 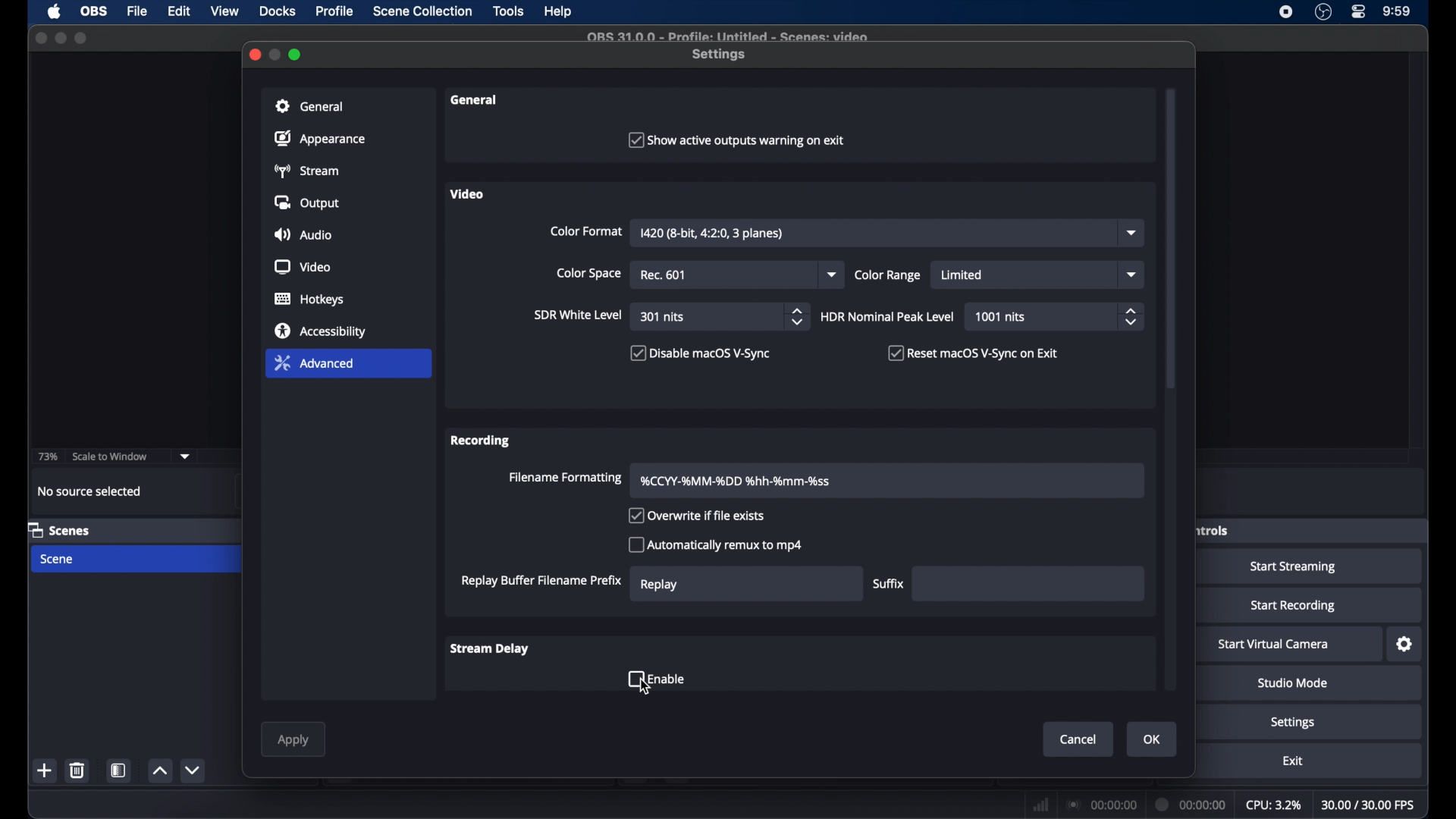 What do you see at coordinates (294, 741) in the screenshot?
I see `apply` at bounding box center [294, 741].